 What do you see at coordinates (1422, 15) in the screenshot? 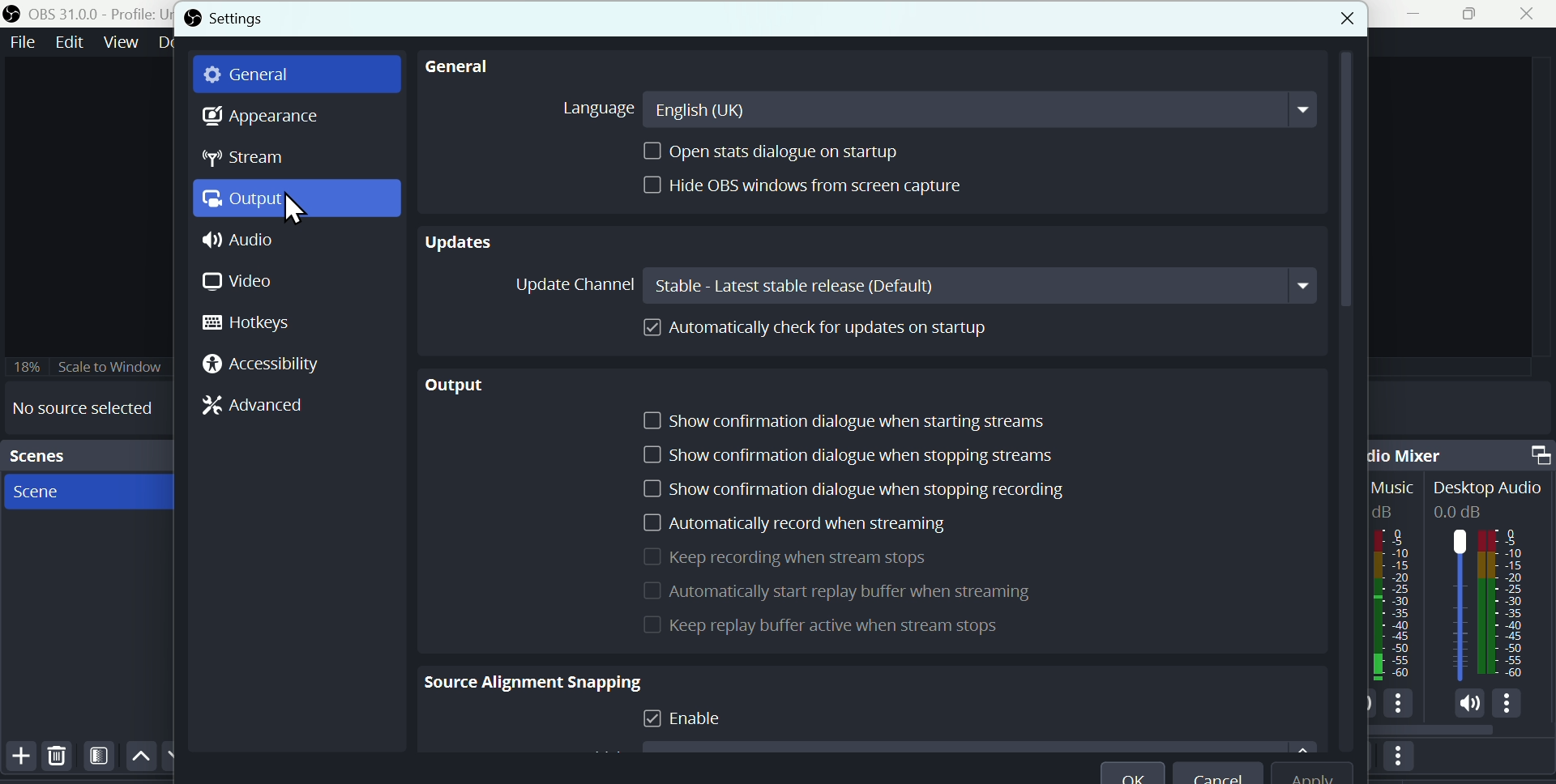
I see `minimise` at bounding box center [1422, 15].